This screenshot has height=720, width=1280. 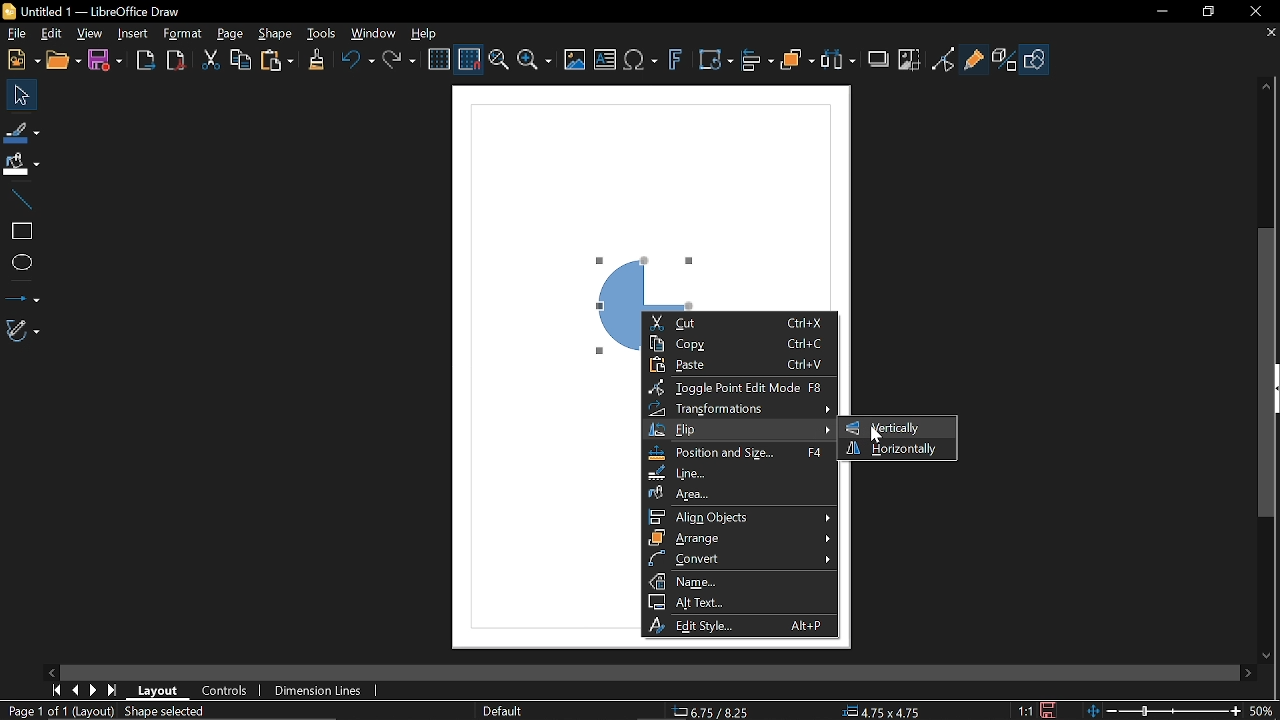 What do you see at coordinates (175, 59) in the screenshot?
I see `Export to pdf` at bounding box center [175, 59].